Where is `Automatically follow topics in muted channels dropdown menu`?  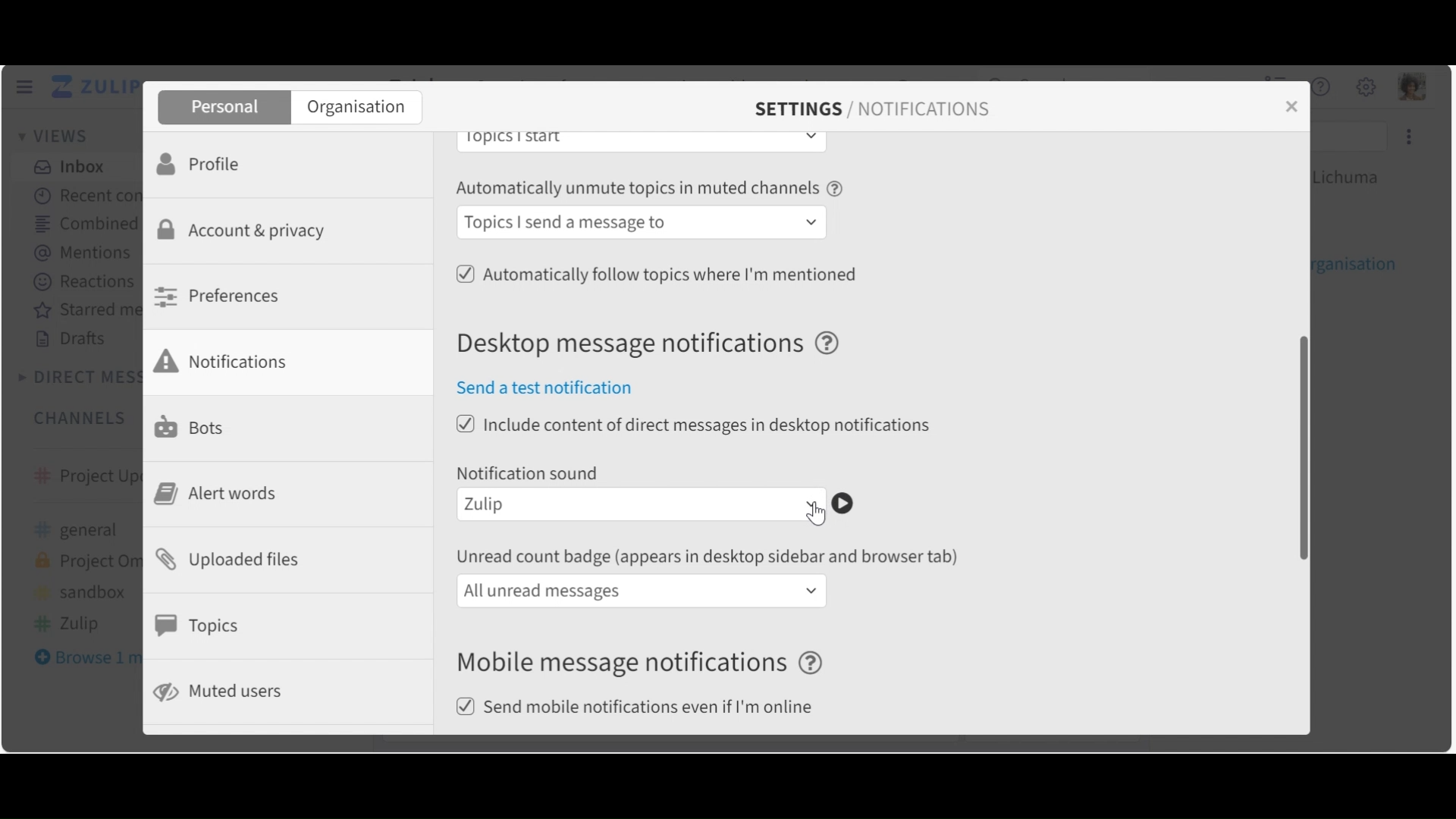
Automatically follow topics in muted channels dropdown menu is located at coordinates (644, 224).